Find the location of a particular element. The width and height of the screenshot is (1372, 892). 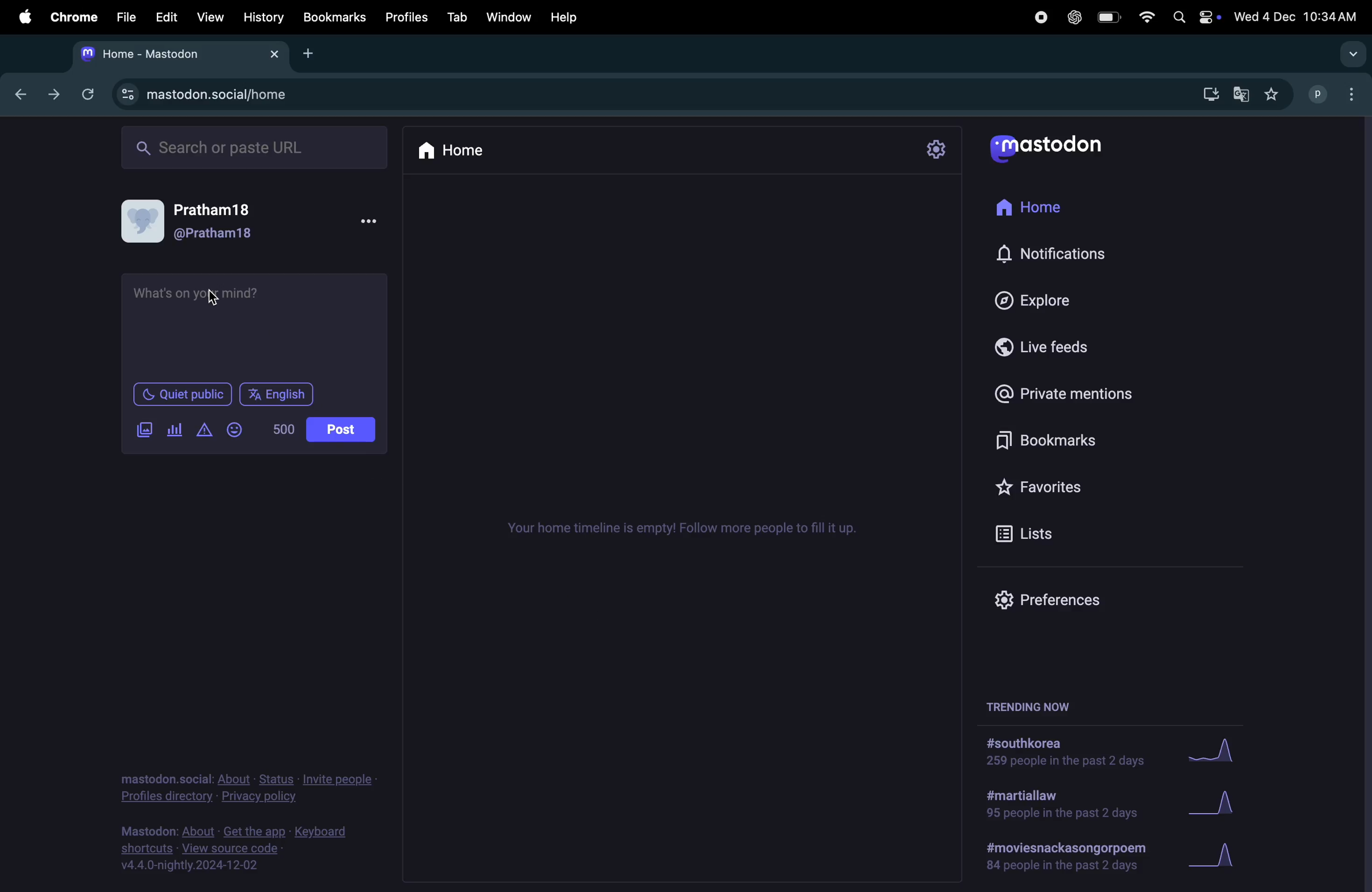

create alert is located at coordinates (205, 432).